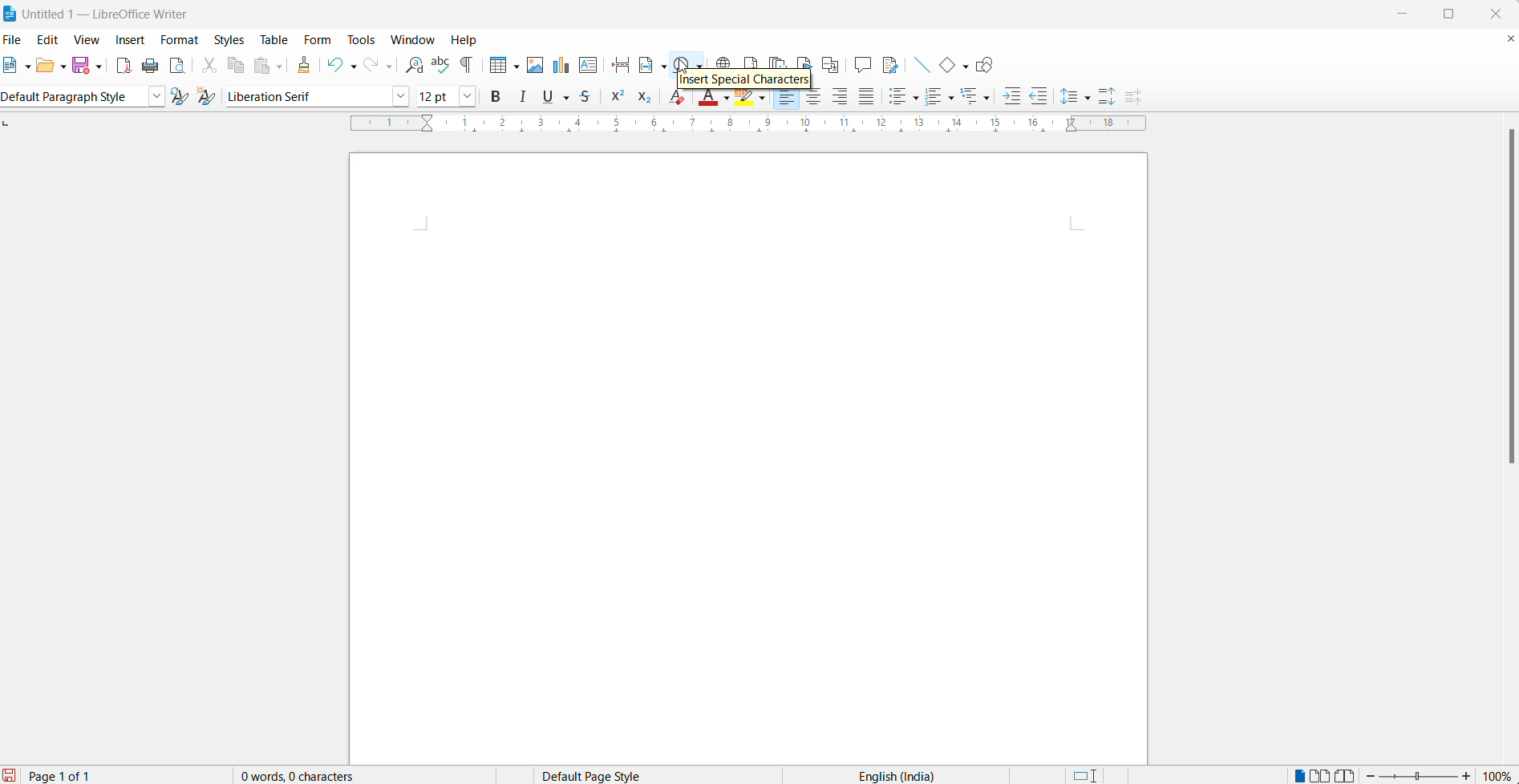 Image resolution: width=1519 pixels, height=784 pixels. Describe the element at coordinates (180, 40) in the screenshot. I see `format` at that location.